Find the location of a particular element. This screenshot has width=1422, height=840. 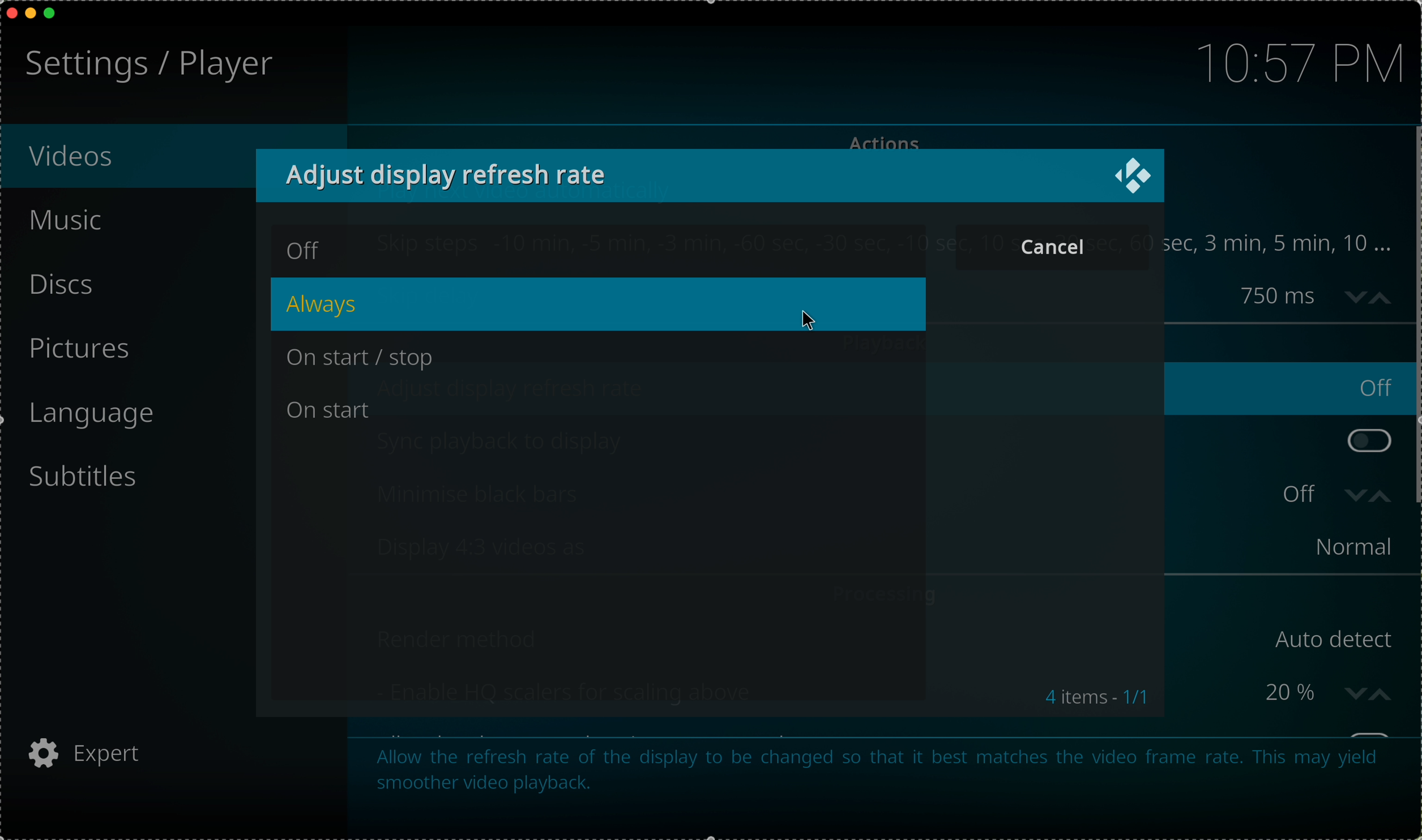

increase value is located at coordinates (1385, 693).